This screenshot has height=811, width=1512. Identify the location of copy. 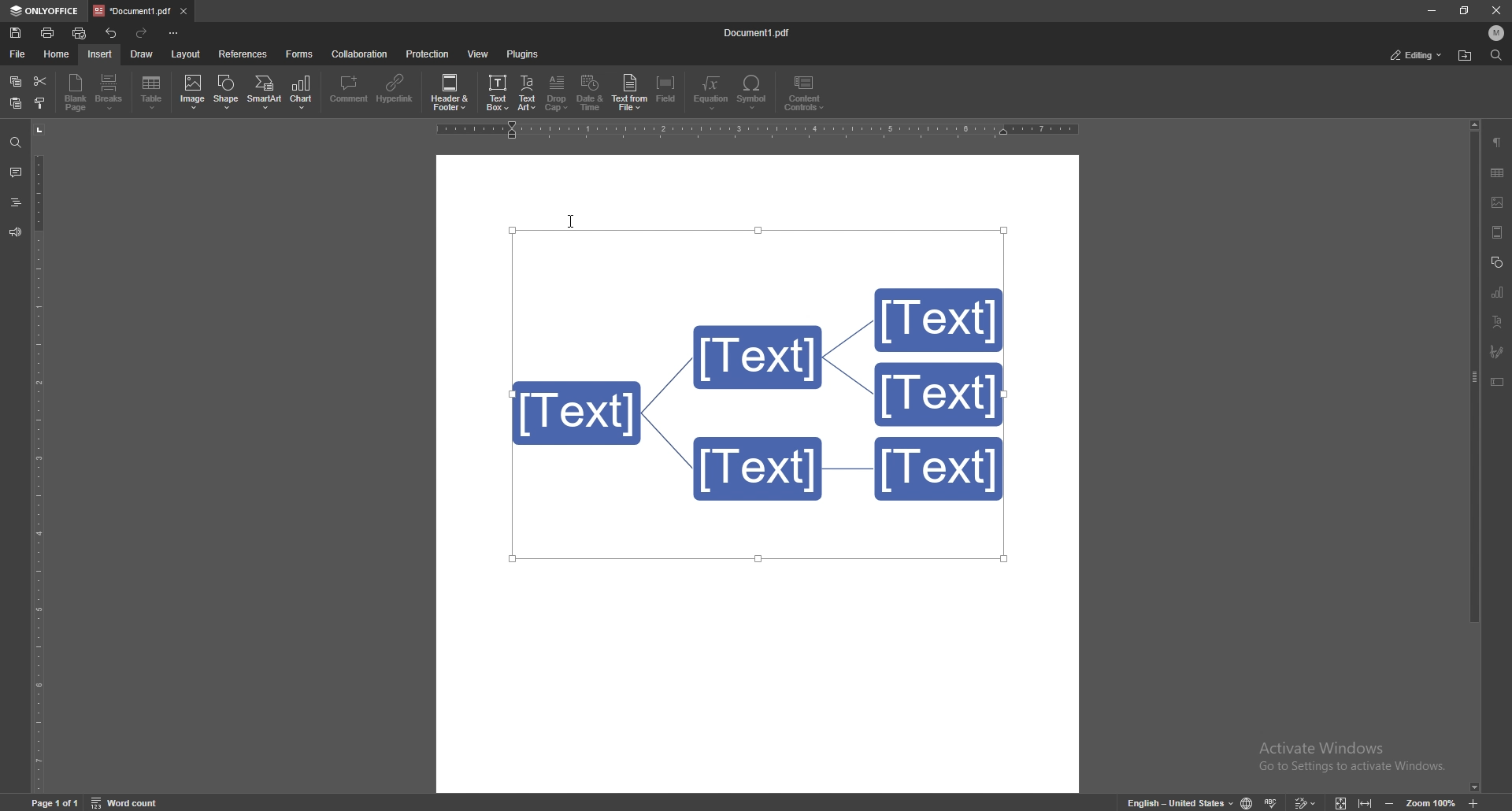
(16, 81).